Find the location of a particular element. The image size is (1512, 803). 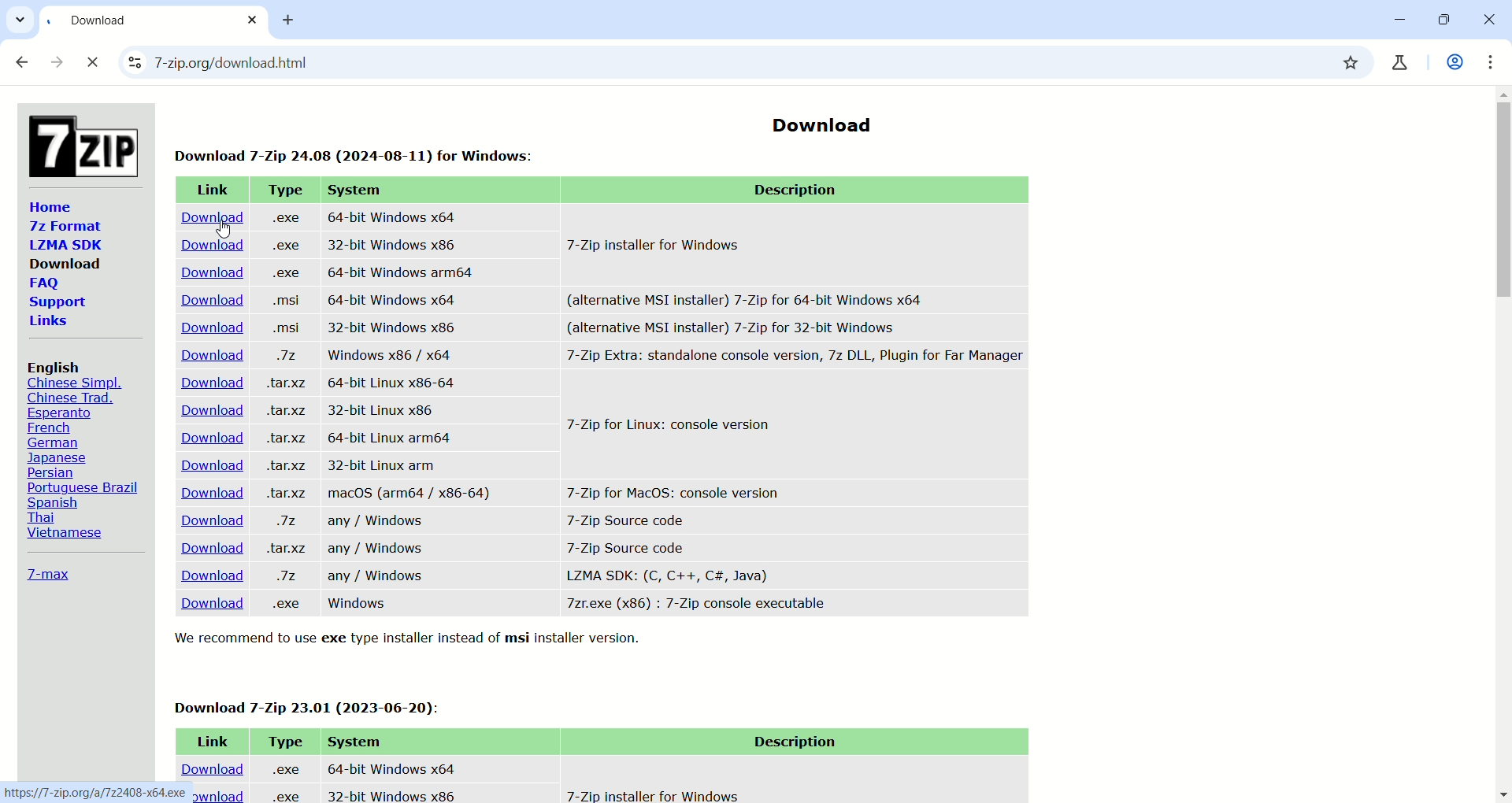

French is located at coordinates (47, 428).